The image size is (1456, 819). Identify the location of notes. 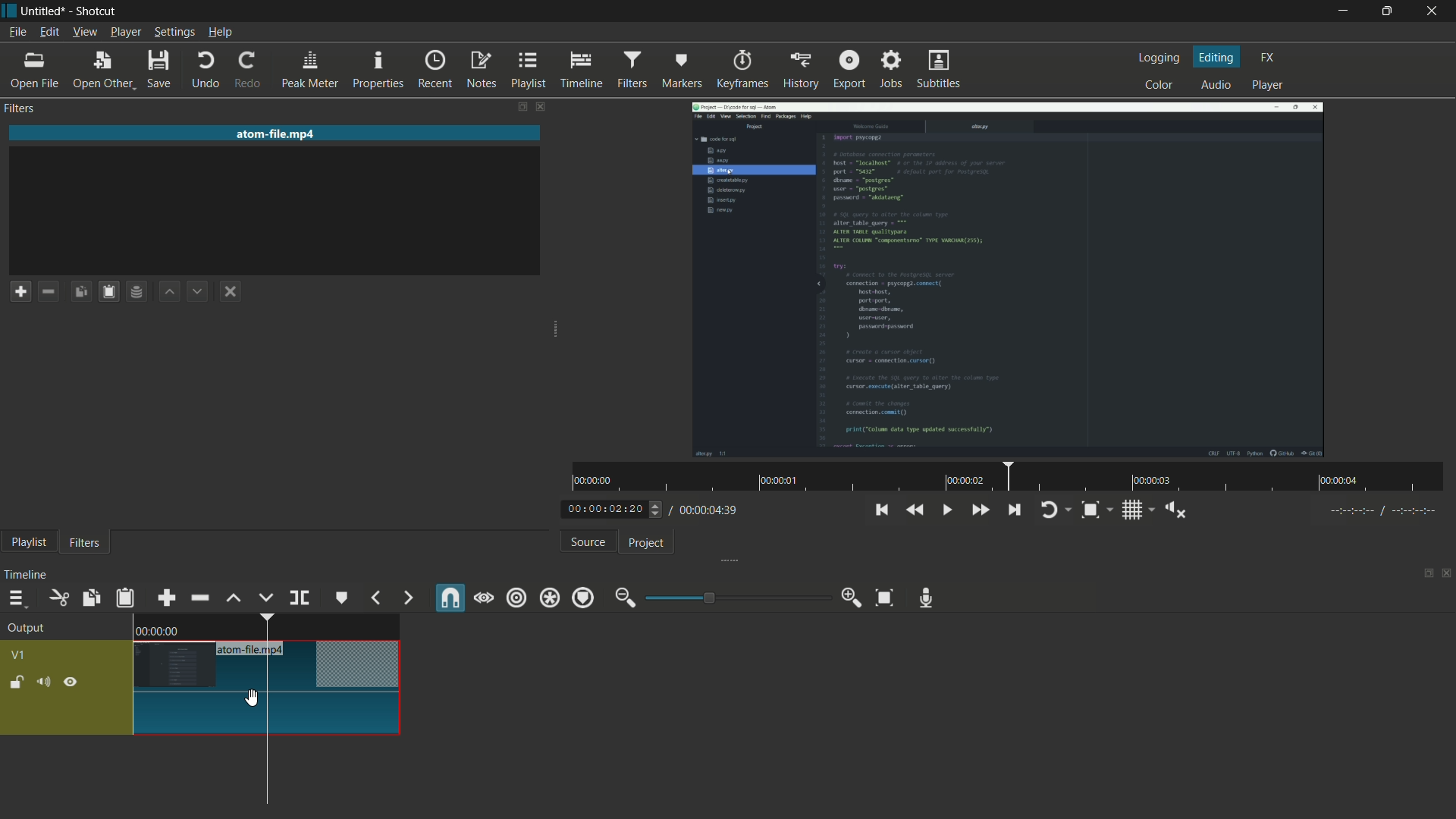
(480, 71).